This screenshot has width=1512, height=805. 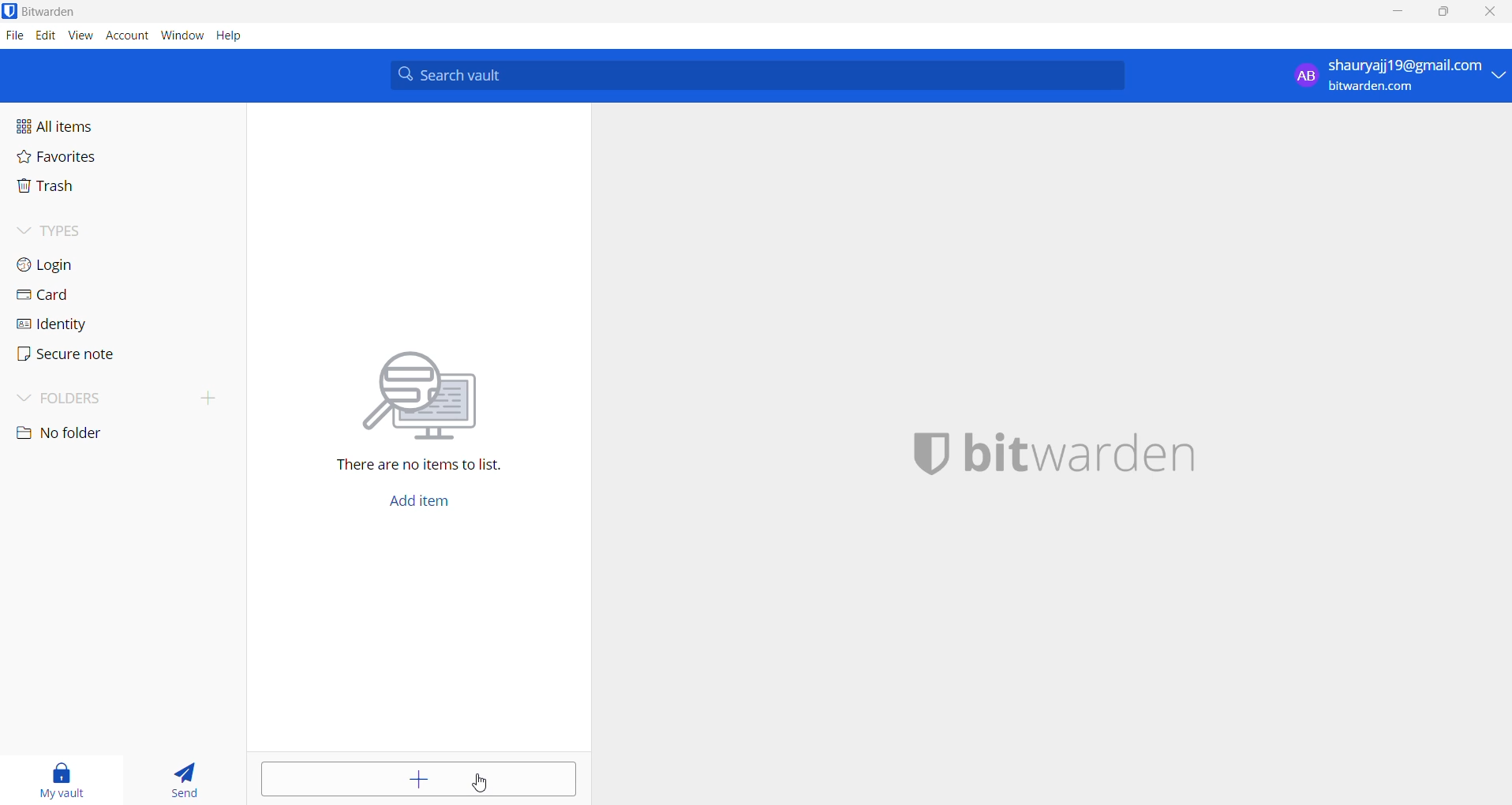 What do you see at coordinates (80, 263) in the screenshot?
I see `login` at bounding box center [80, 263].